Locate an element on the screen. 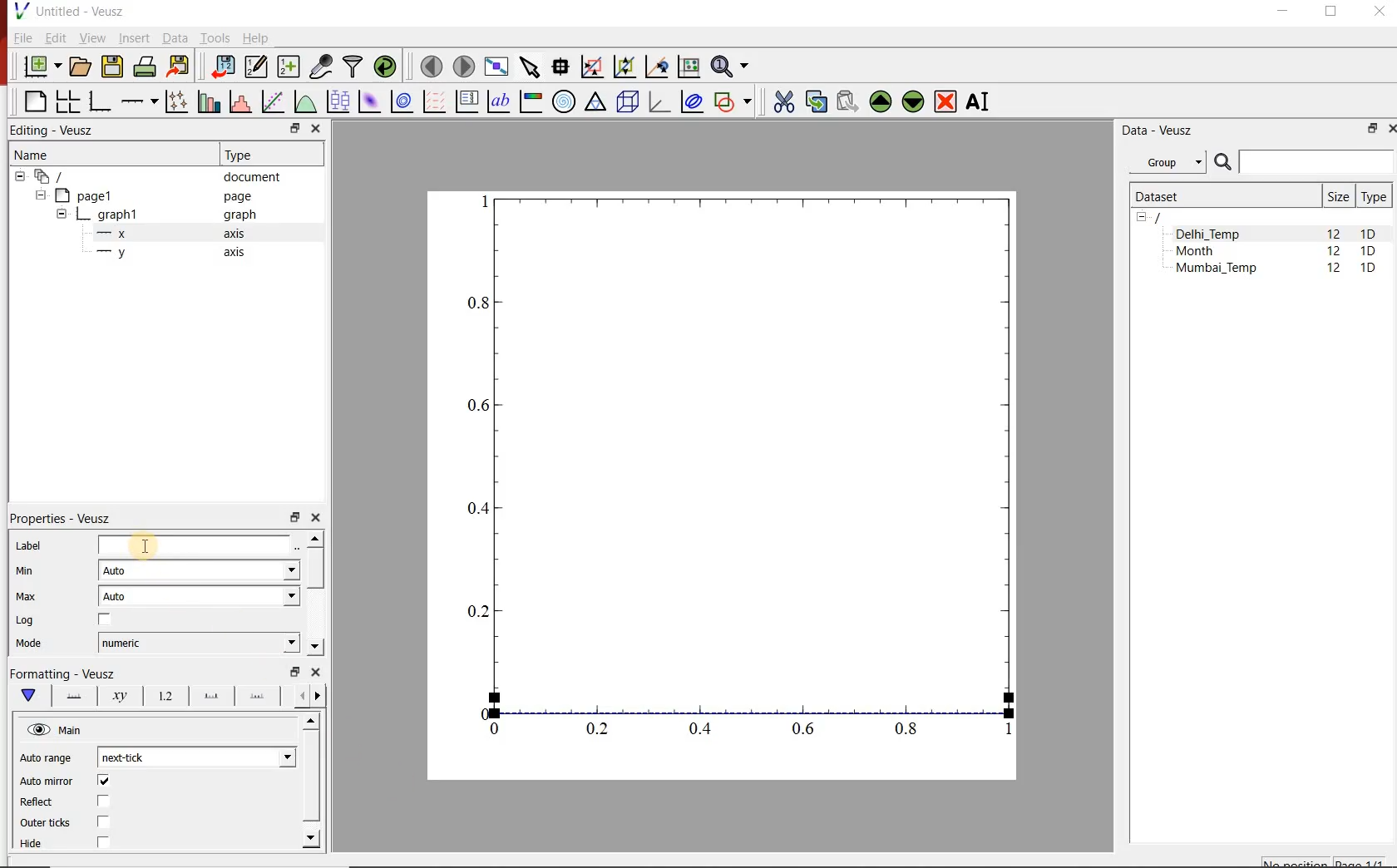  polar graph is located at coordinates (565, 103).